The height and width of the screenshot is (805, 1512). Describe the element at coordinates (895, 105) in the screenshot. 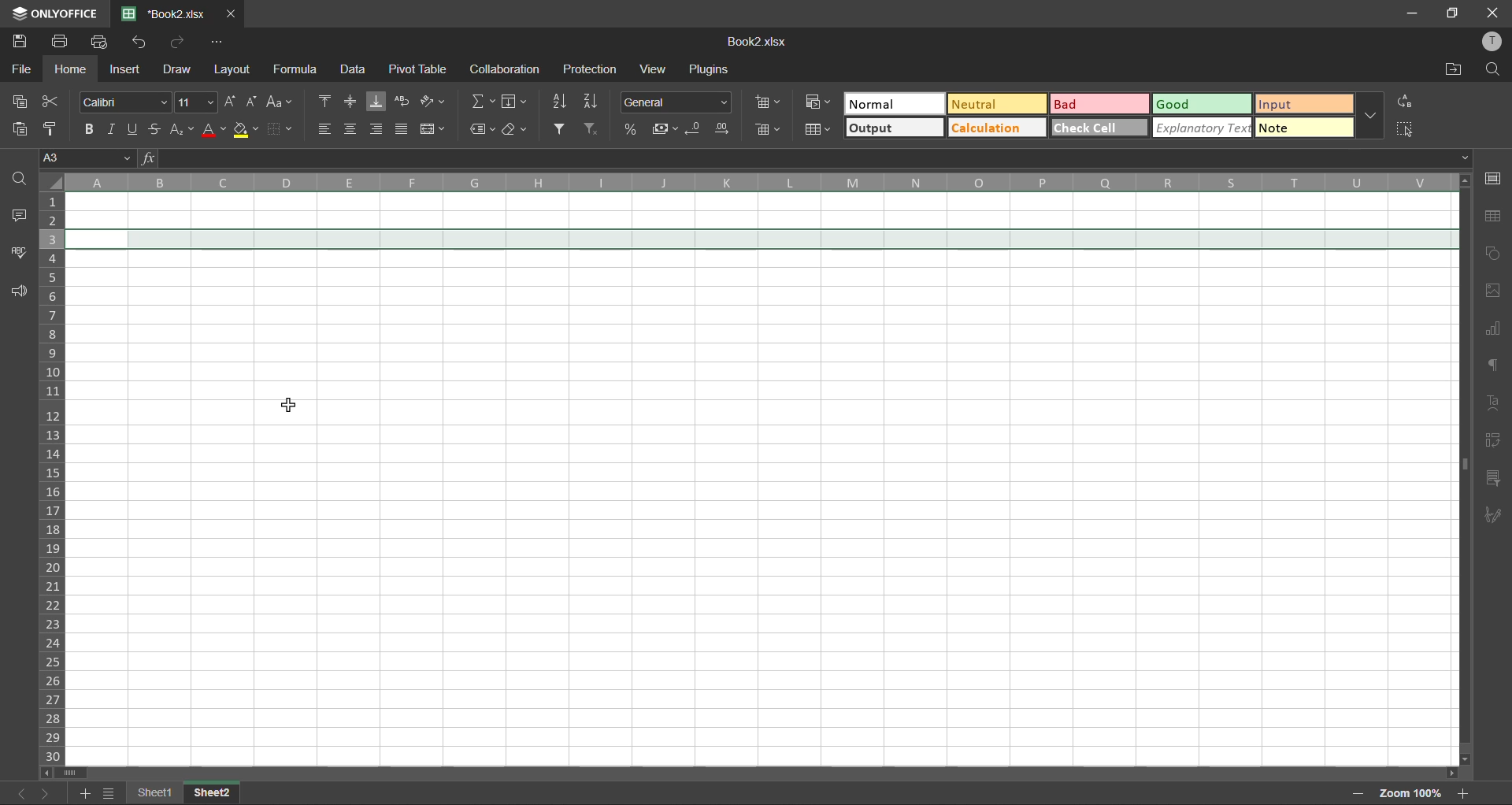

I see `normal` at that location.